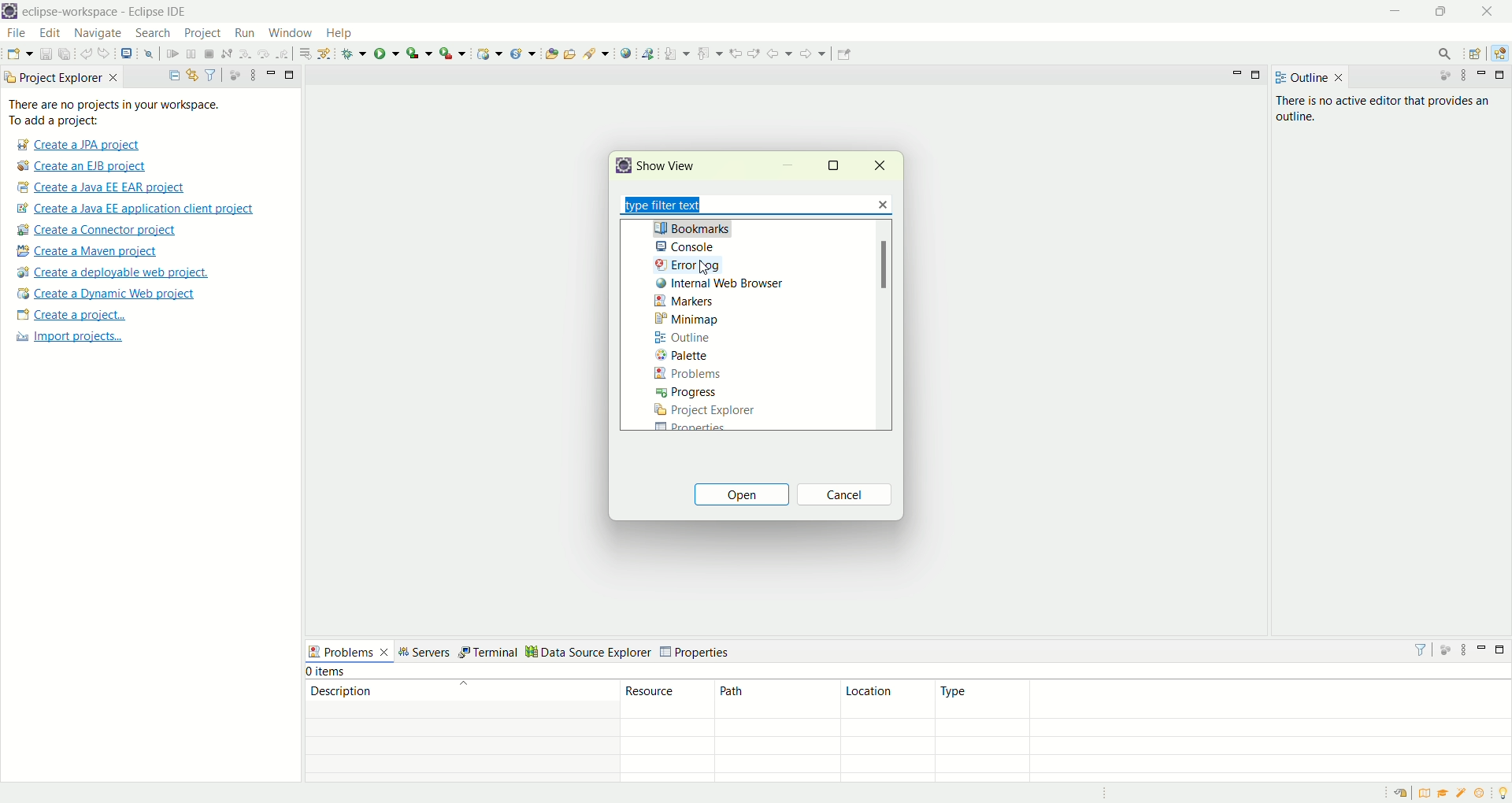 This screenshot has height=803, width=1512. I want to click on problems, so click(688, 374).